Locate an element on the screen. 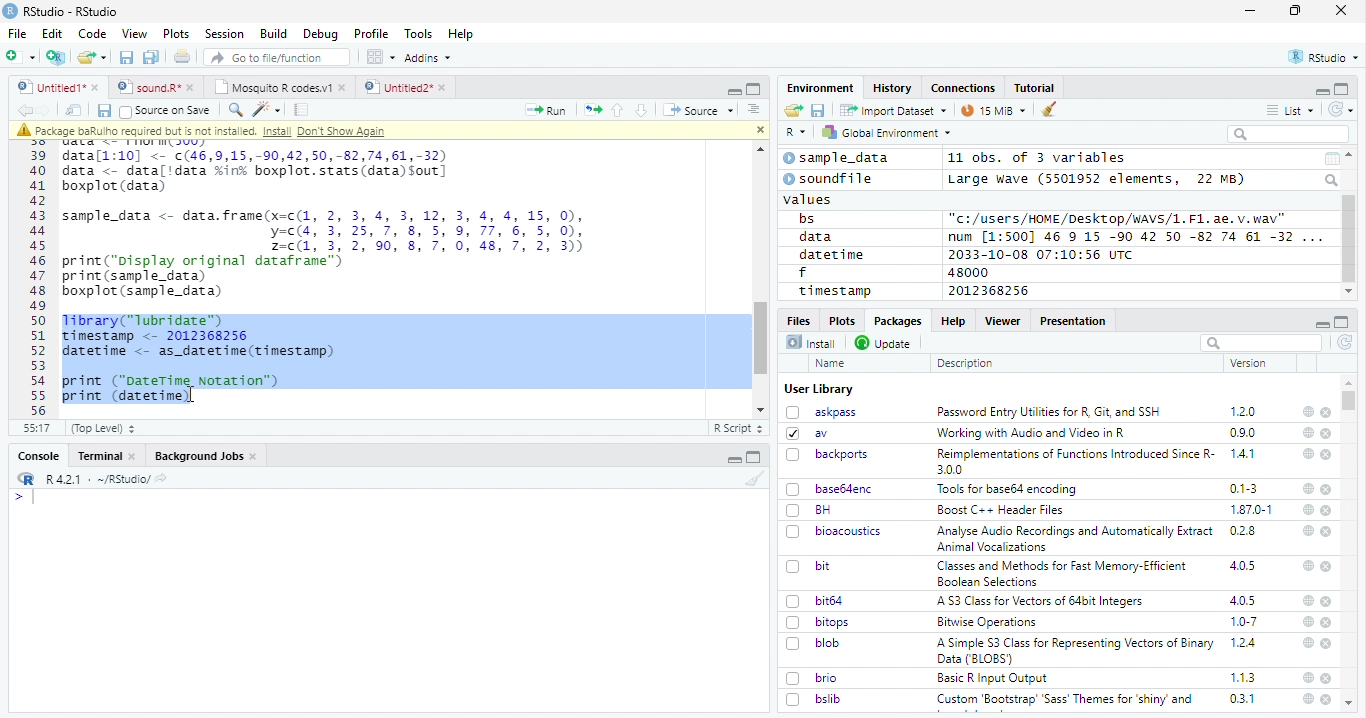  (Top Level) is located at coordinates (102, 428).